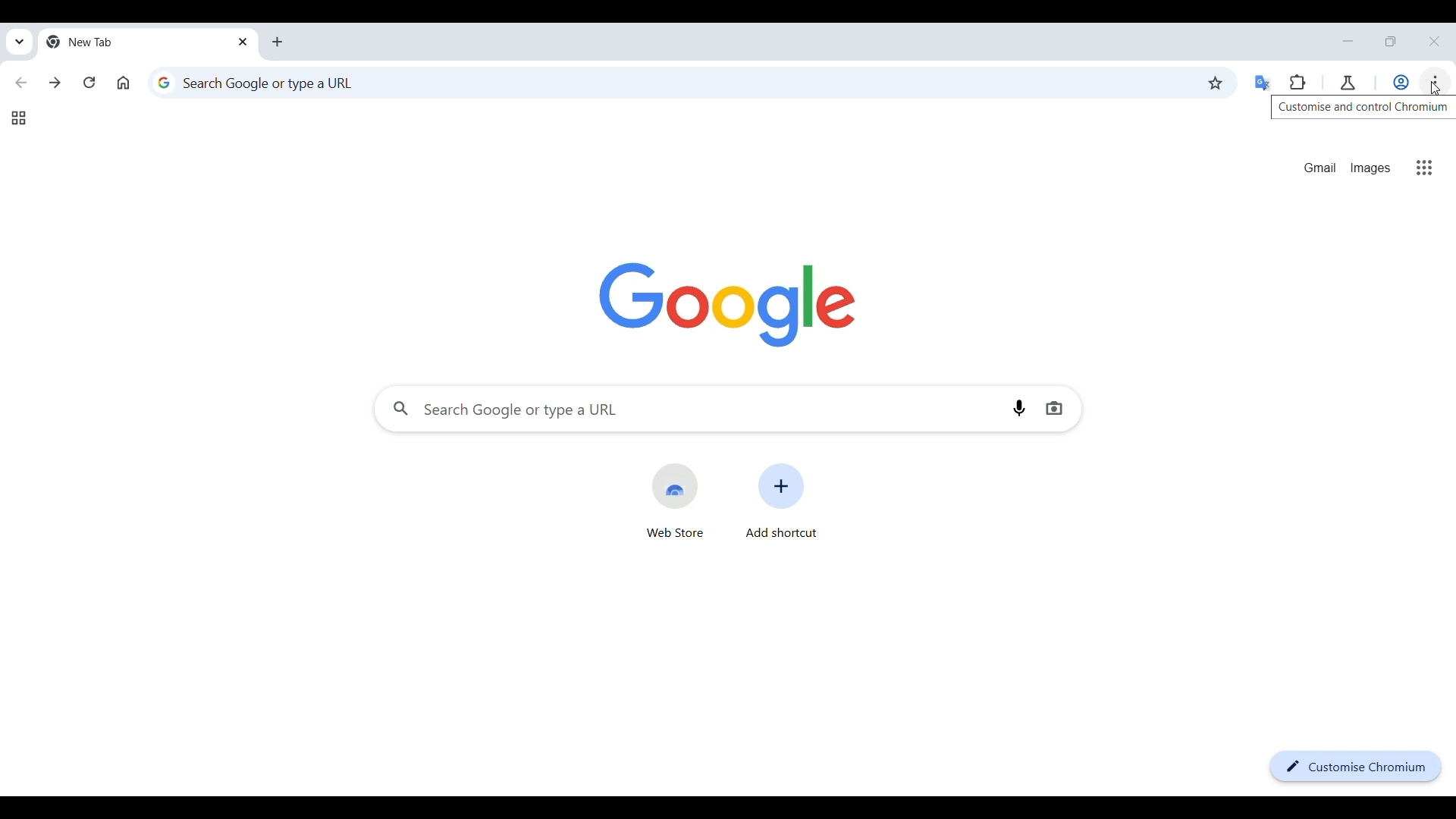 Image resolution: width=1456 pixels, height=819 pixels. Describe the element at coordinates (1362, 108) in the screenshot. I see `customise and control chromium` at that location.